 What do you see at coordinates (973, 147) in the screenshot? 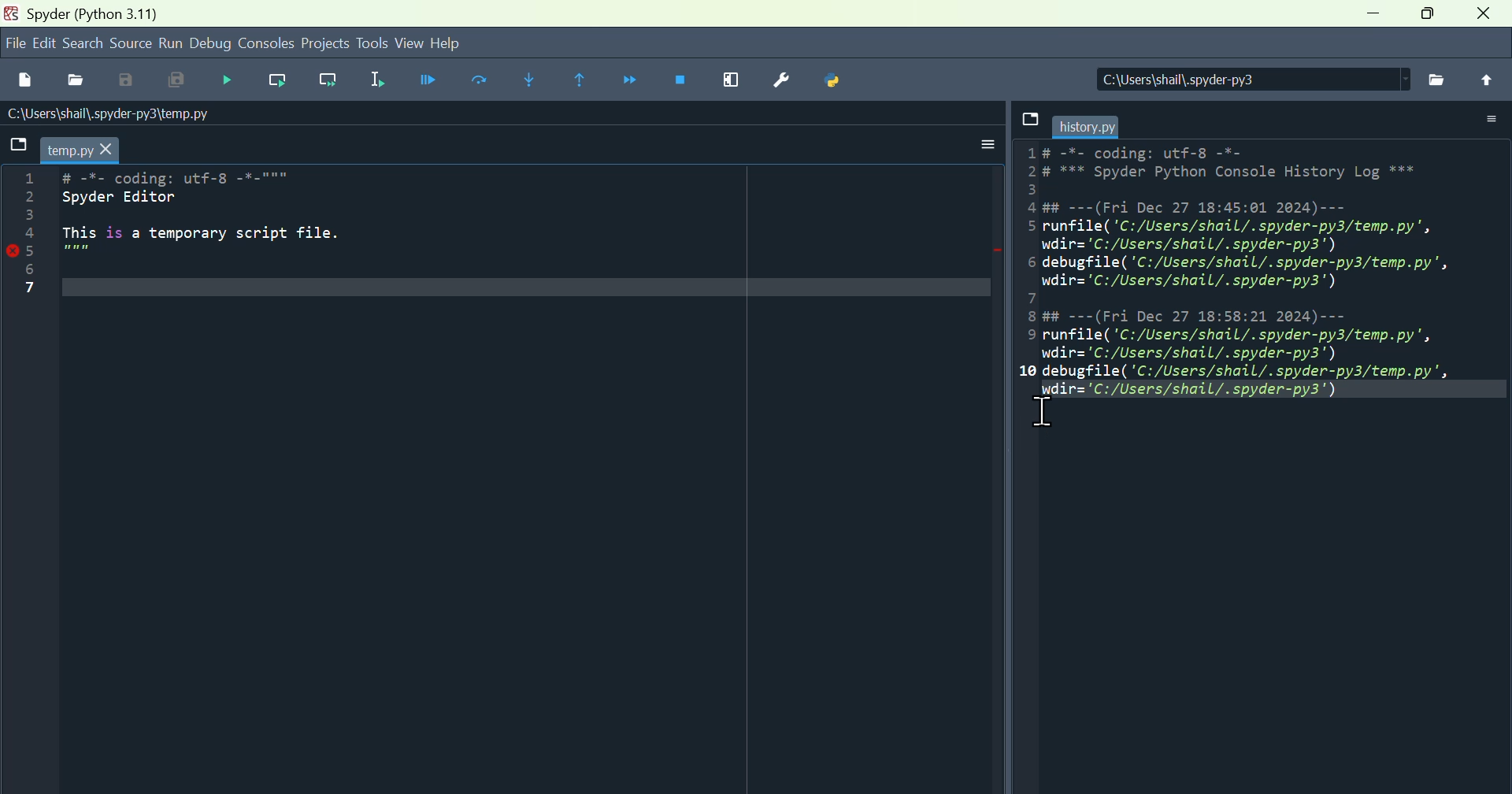
I see `More options` at bounding box center [973, 147].